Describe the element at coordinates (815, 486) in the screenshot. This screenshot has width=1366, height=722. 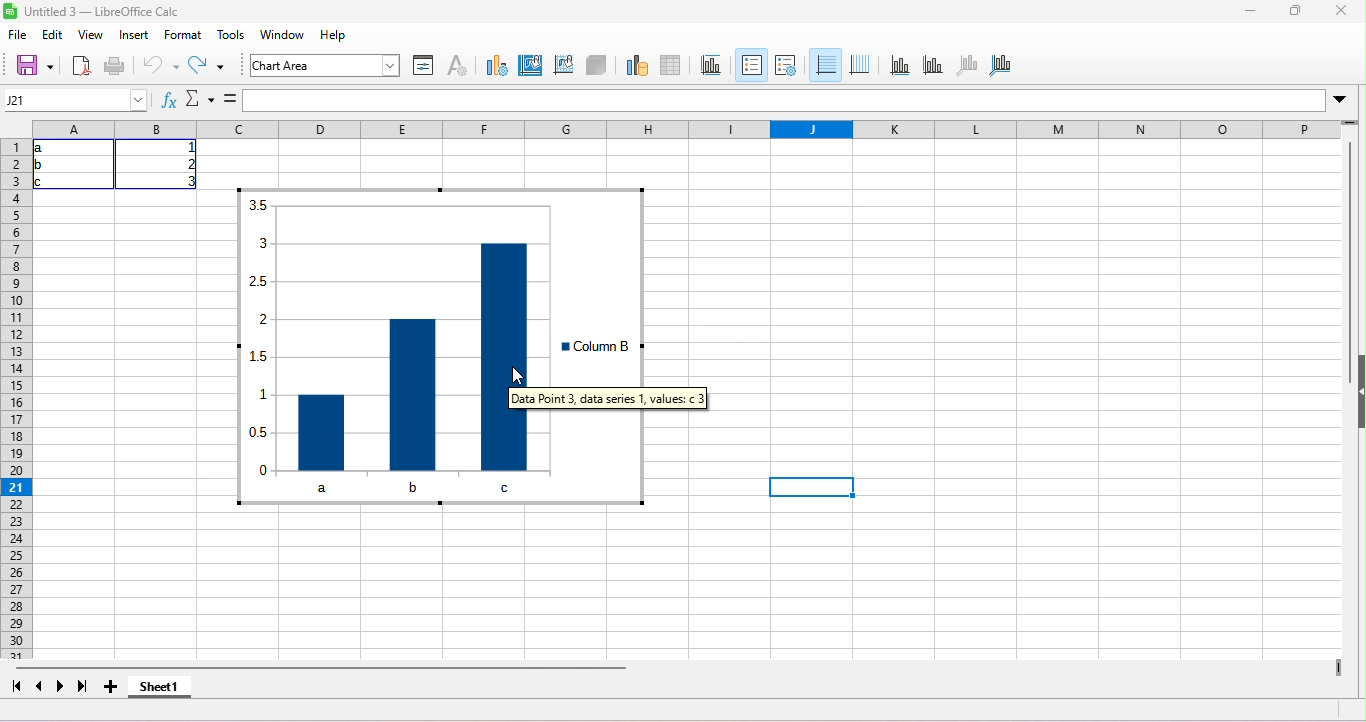
I see `selected cell` at that location.